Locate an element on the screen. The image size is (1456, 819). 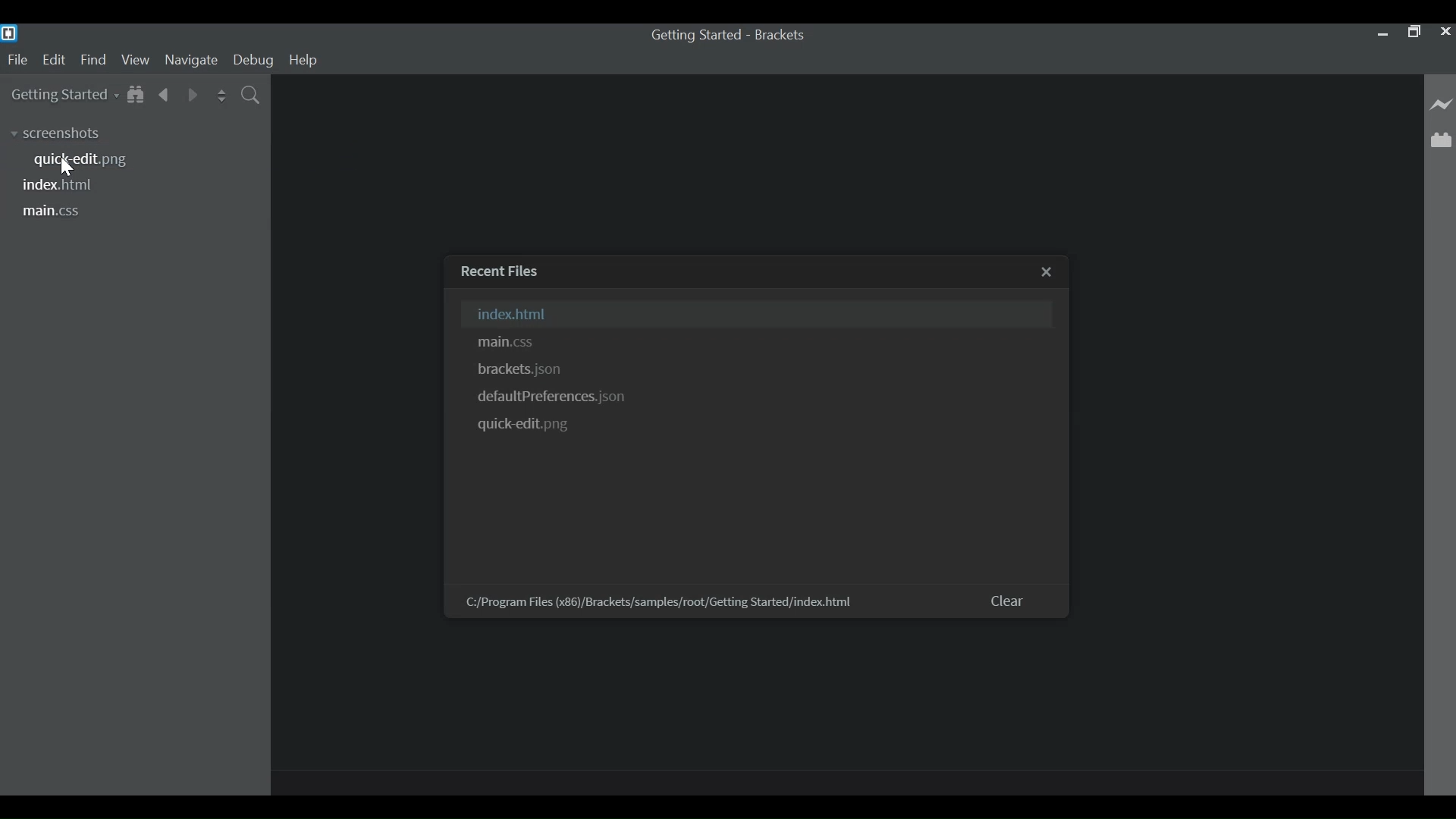
Brackets is located at coordinates (783, 35).